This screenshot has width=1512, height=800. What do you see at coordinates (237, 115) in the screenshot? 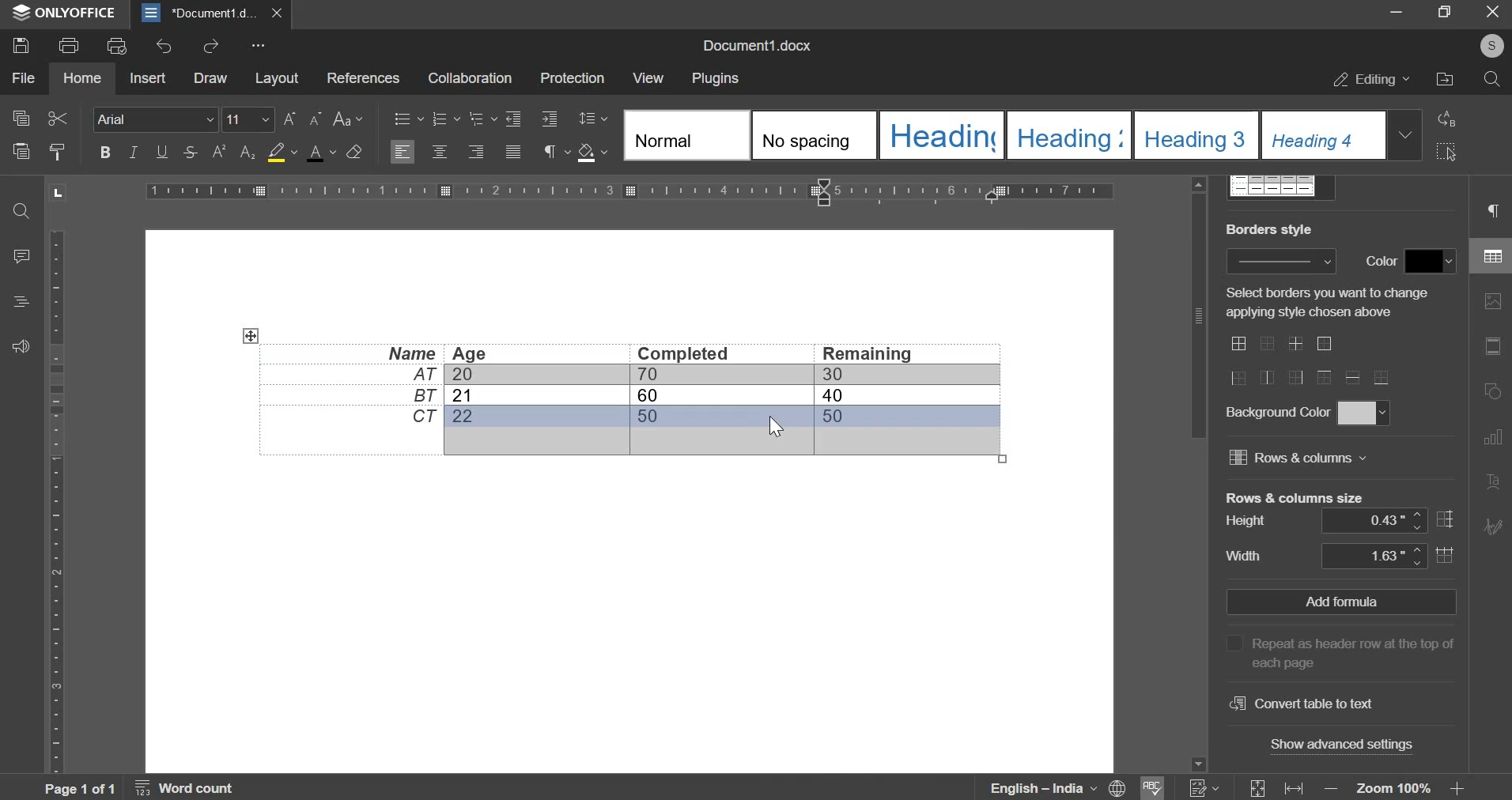
I see `font size` at bounding box center [237, 115].